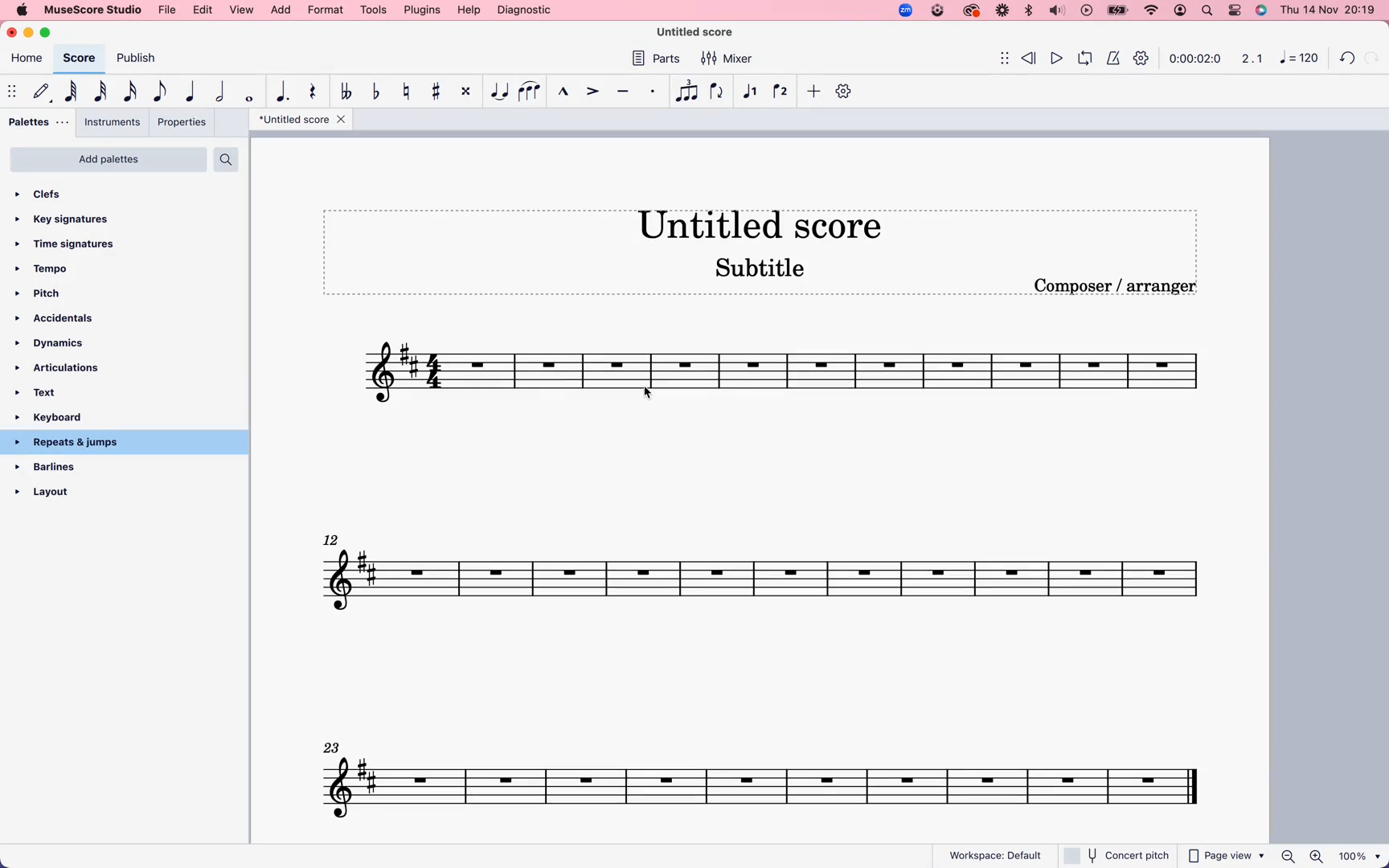 This screenshot has width=1389, height=868. Describe the element at coordinates (1117, 11) in the screenshot. I see `battery` at that location.